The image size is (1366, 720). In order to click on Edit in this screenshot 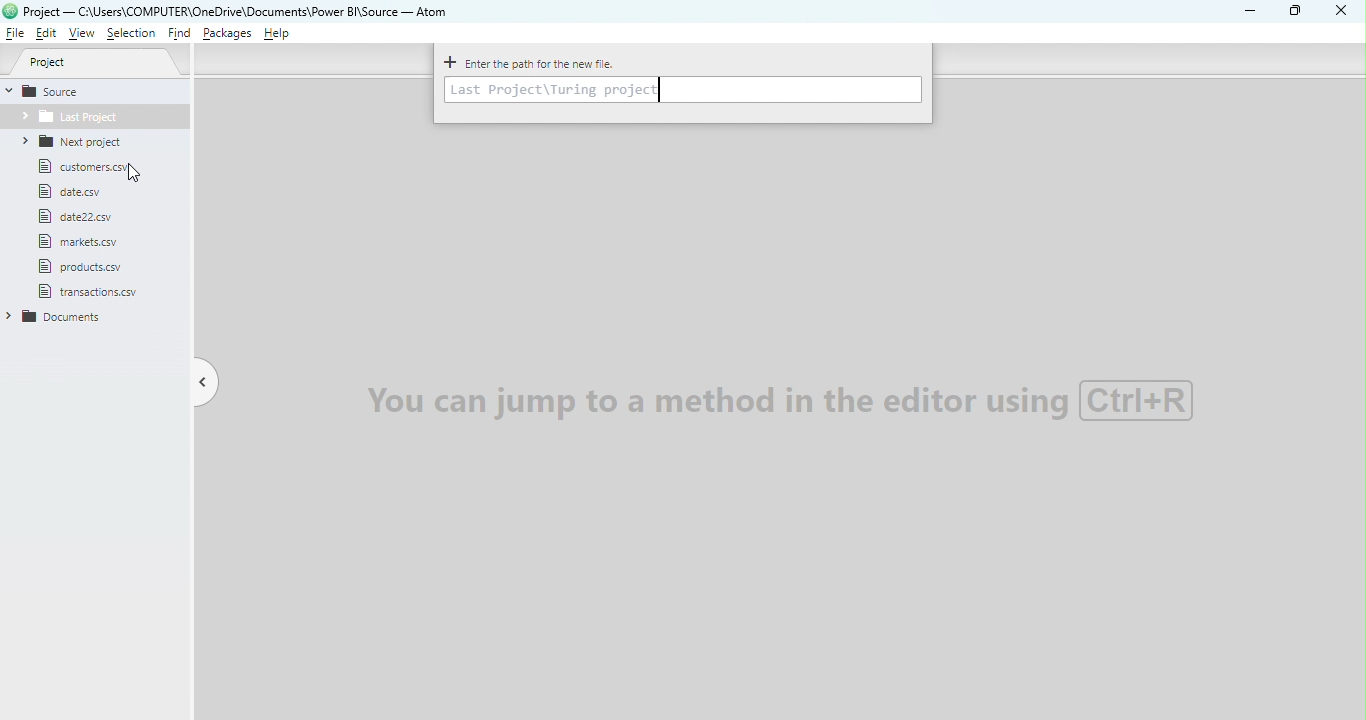, I will do `click(47, 34)`.